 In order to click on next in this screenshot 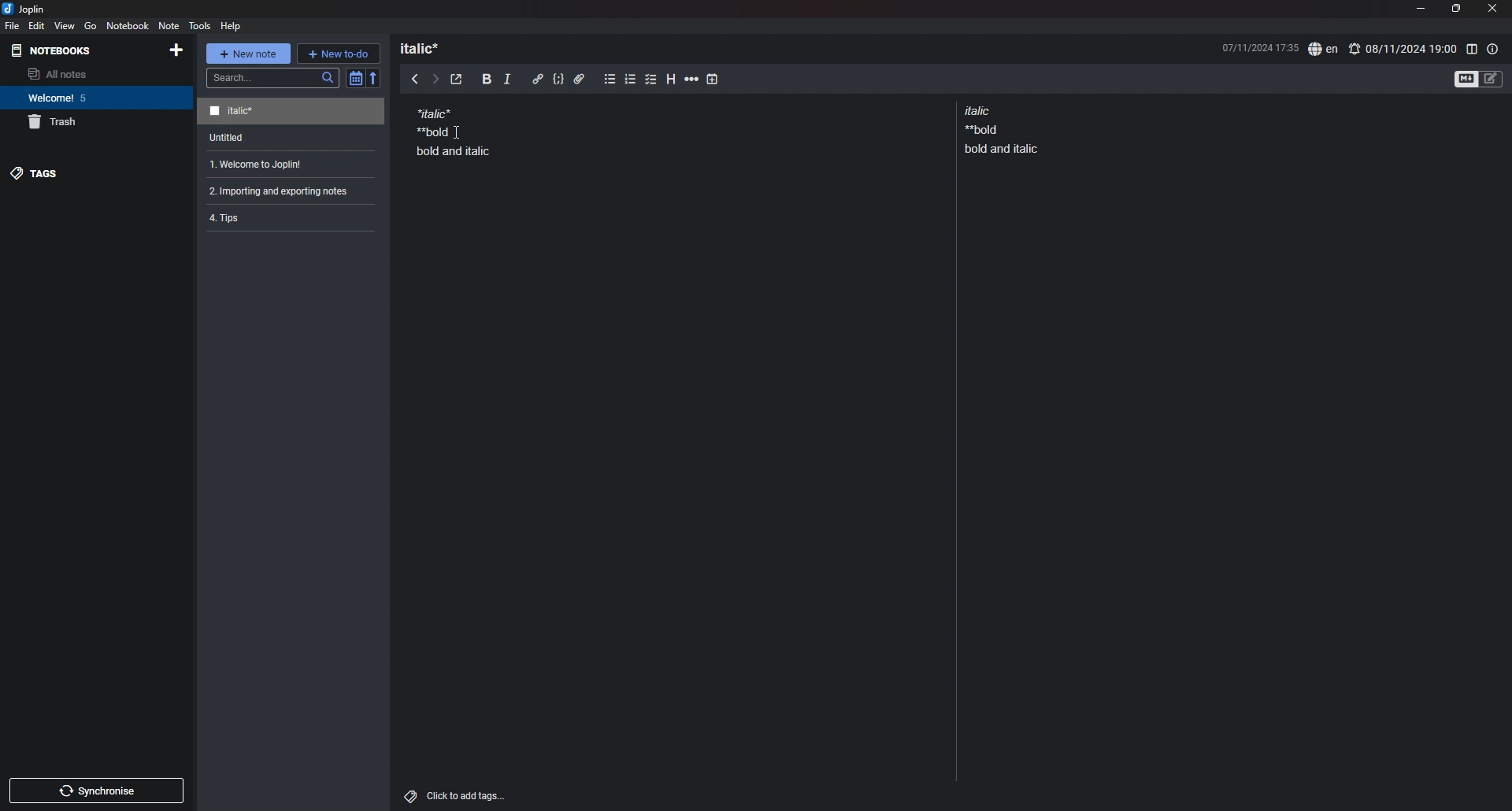, I will do `click(435, 80)`.